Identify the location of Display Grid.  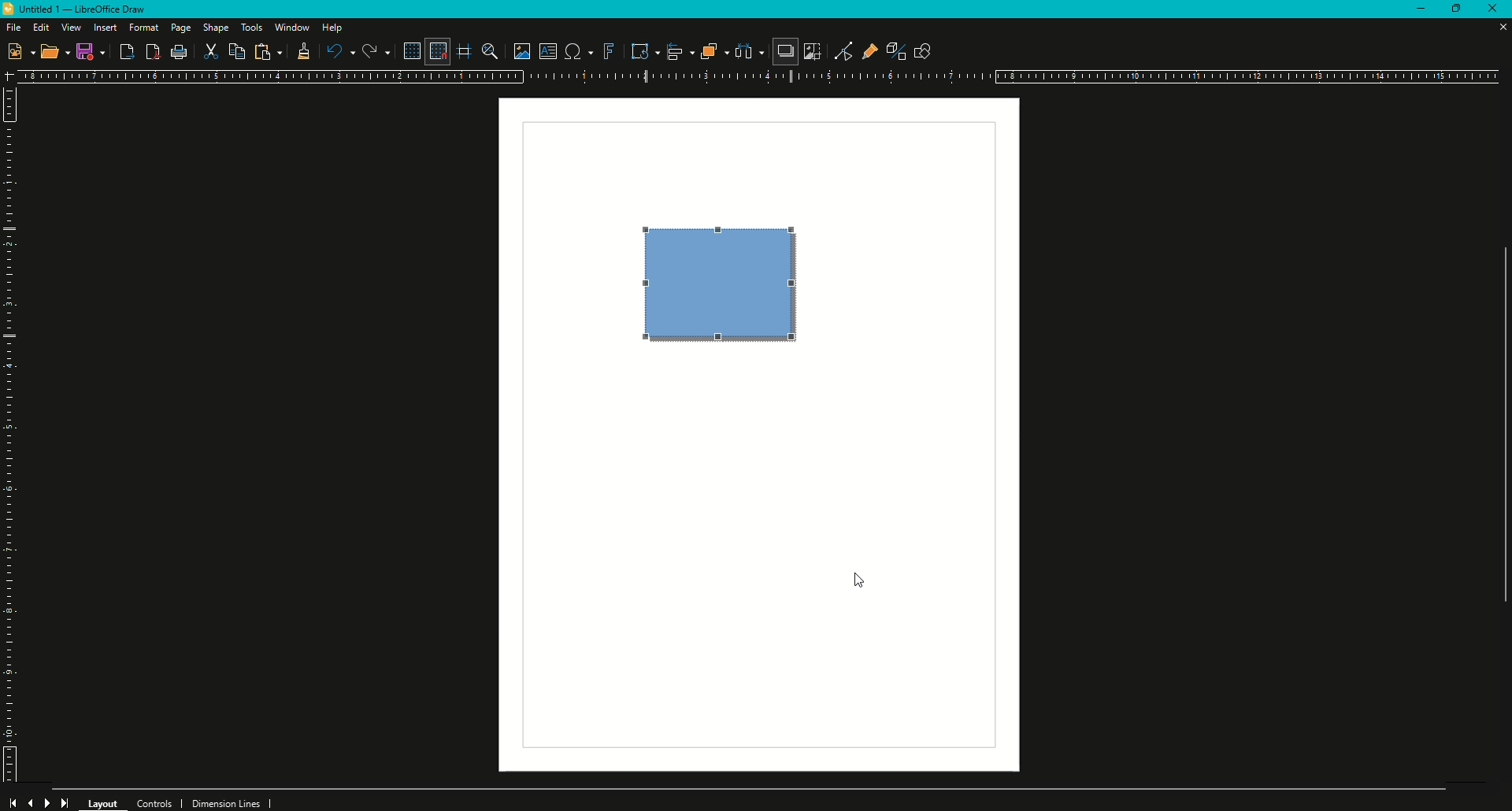
(408, 50).